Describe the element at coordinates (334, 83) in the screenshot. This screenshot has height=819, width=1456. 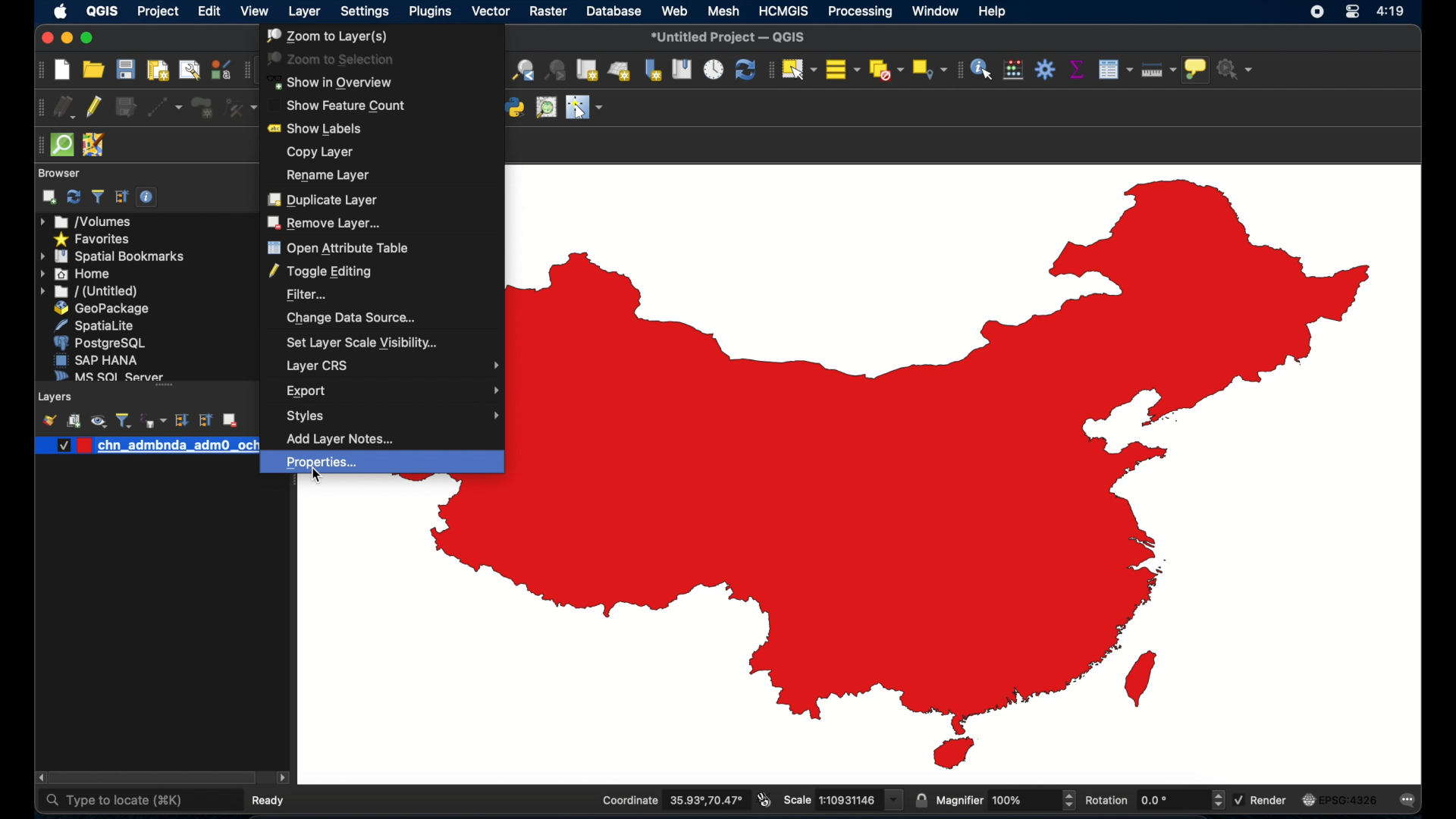
I see `show in overview` at that location.